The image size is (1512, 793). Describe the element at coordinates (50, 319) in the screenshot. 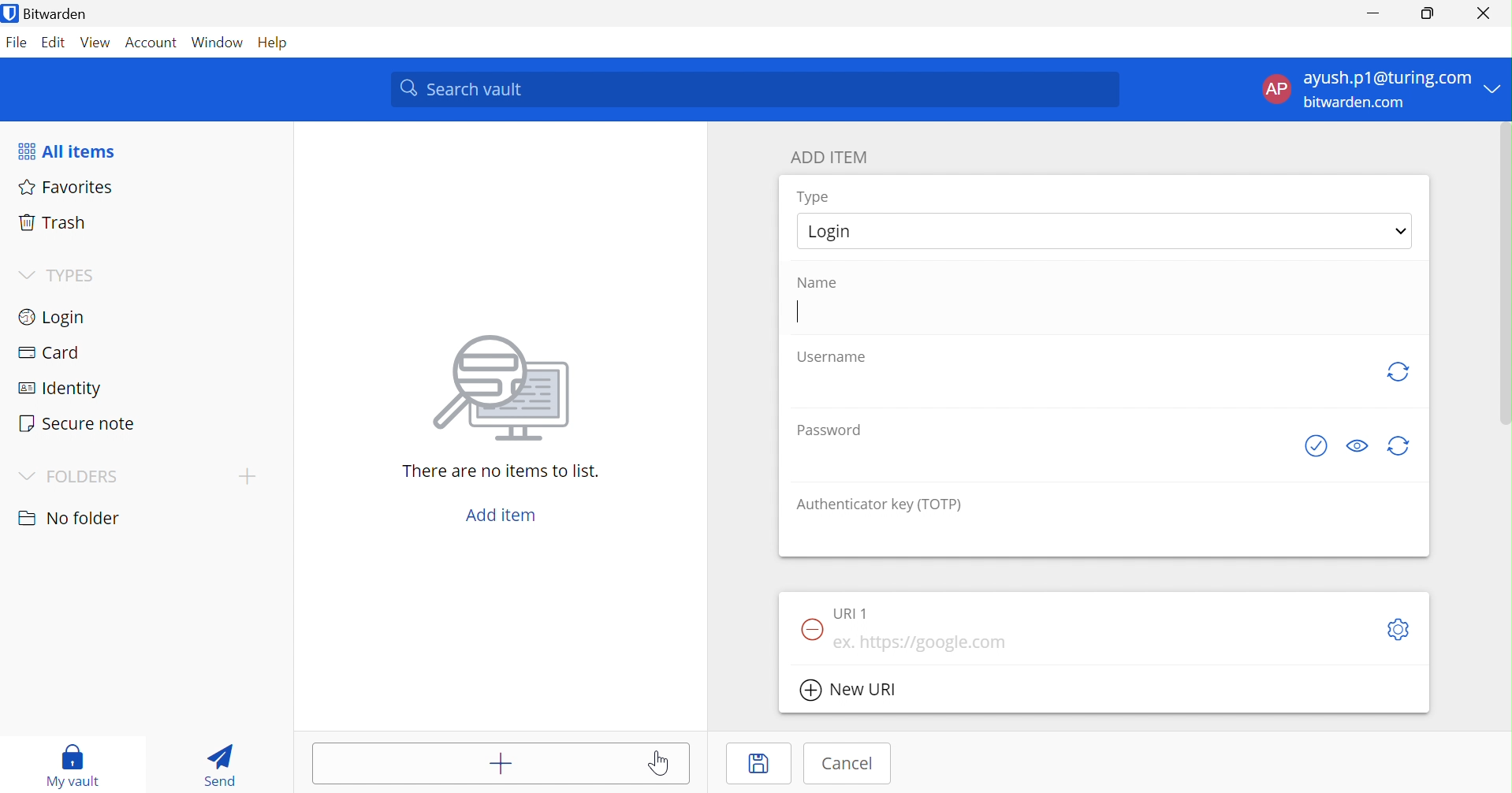

I see `Login` at that location.